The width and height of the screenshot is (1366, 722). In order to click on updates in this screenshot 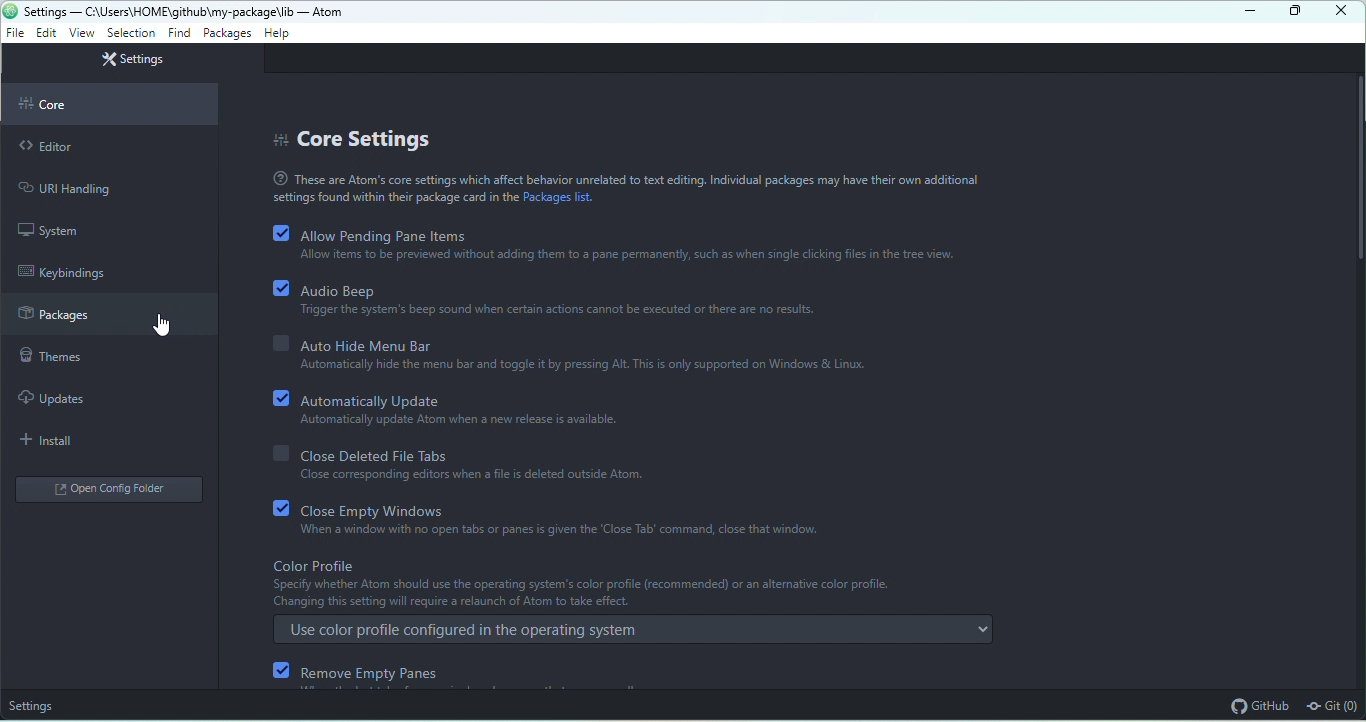, I will do `click(63, 396)`.